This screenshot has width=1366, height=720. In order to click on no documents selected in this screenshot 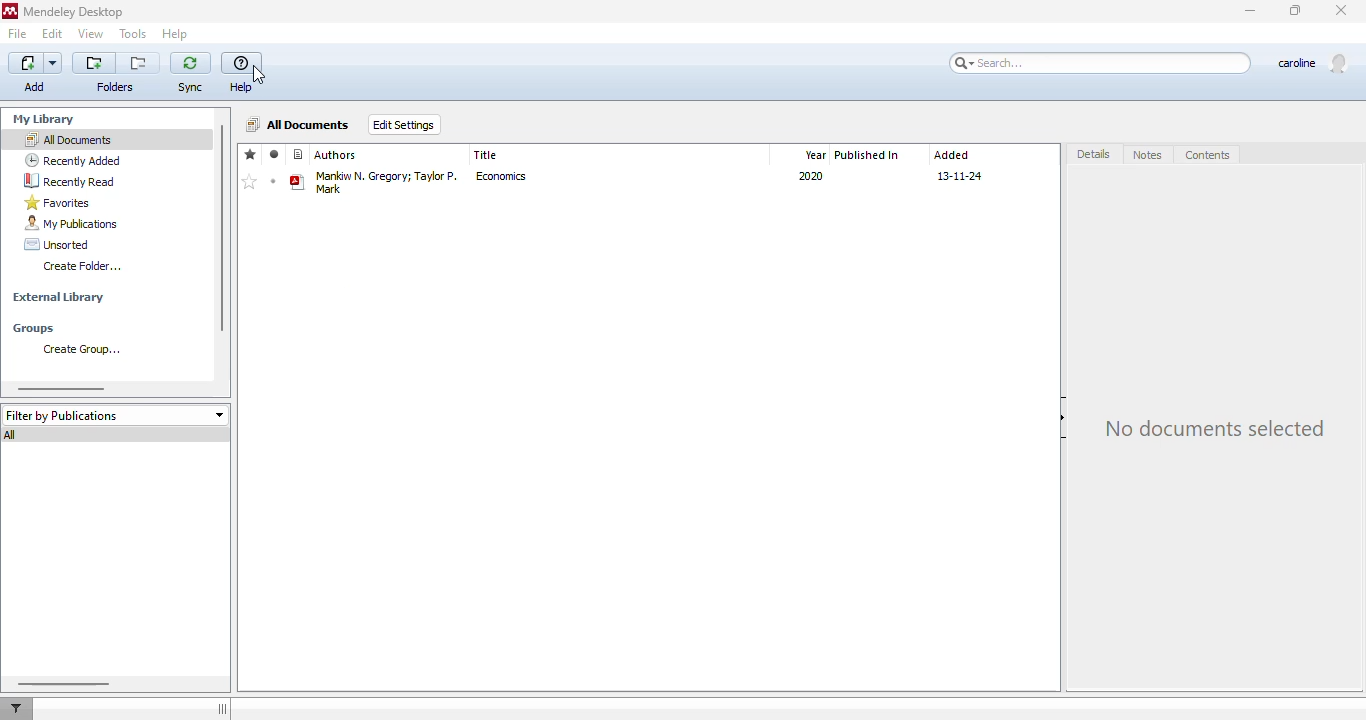, I will do `click(1216, 428)`.